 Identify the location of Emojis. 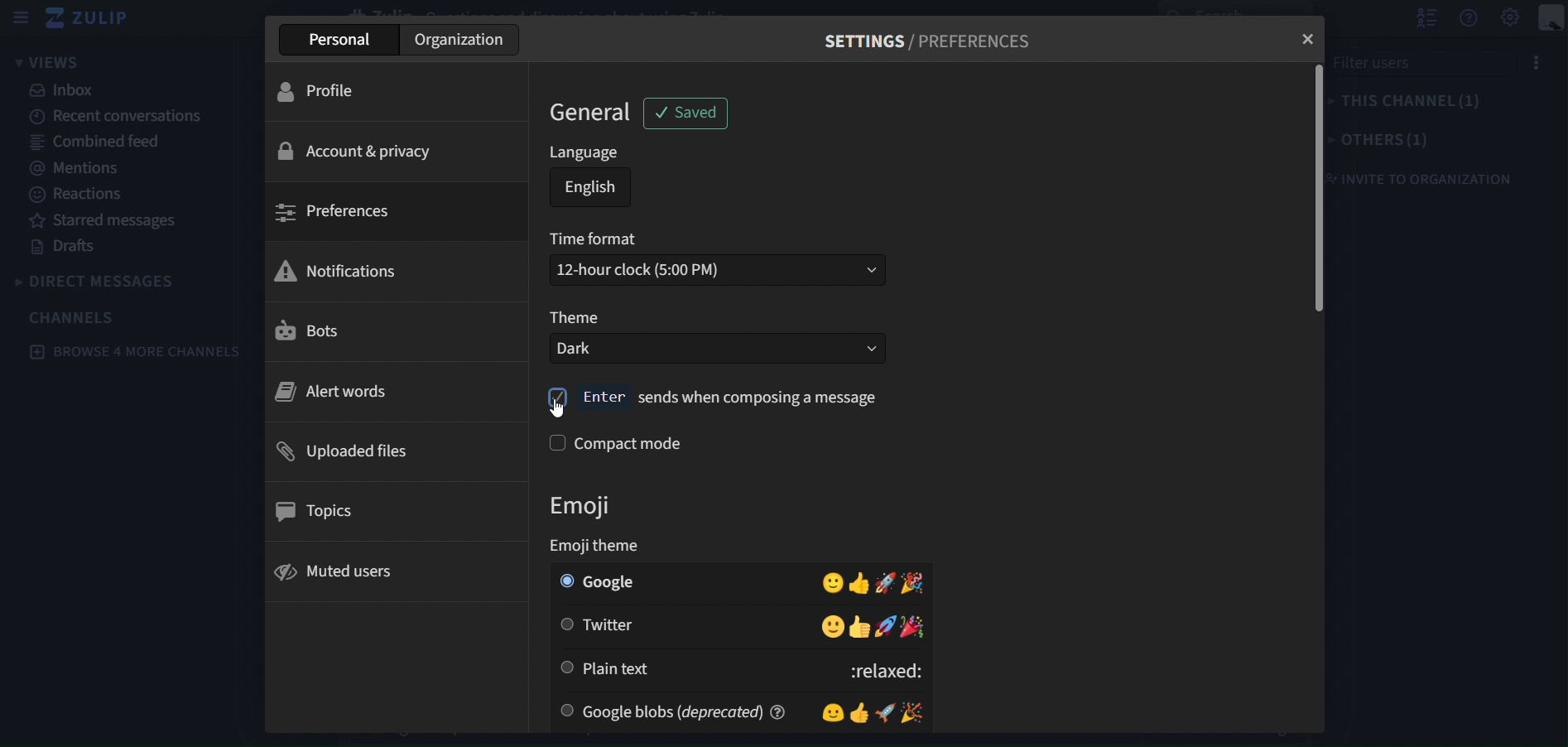
(871, 711).